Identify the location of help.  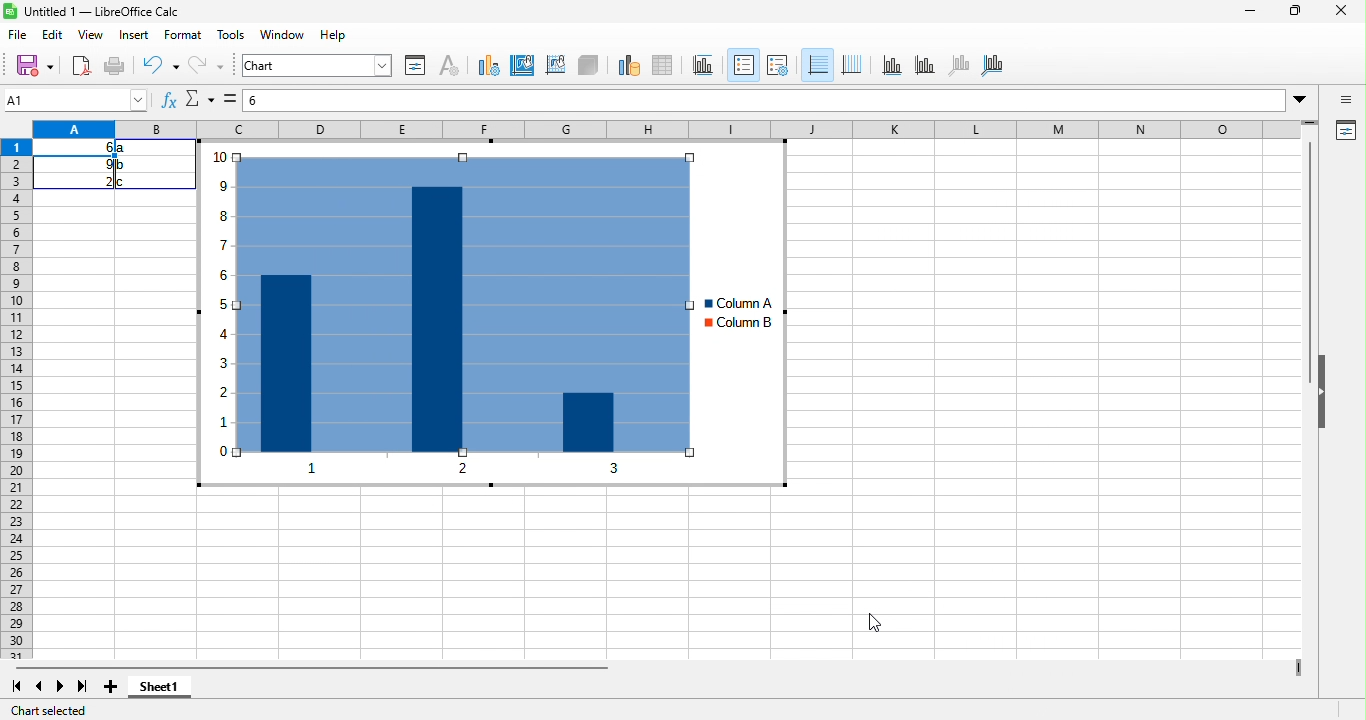
(332, 36).